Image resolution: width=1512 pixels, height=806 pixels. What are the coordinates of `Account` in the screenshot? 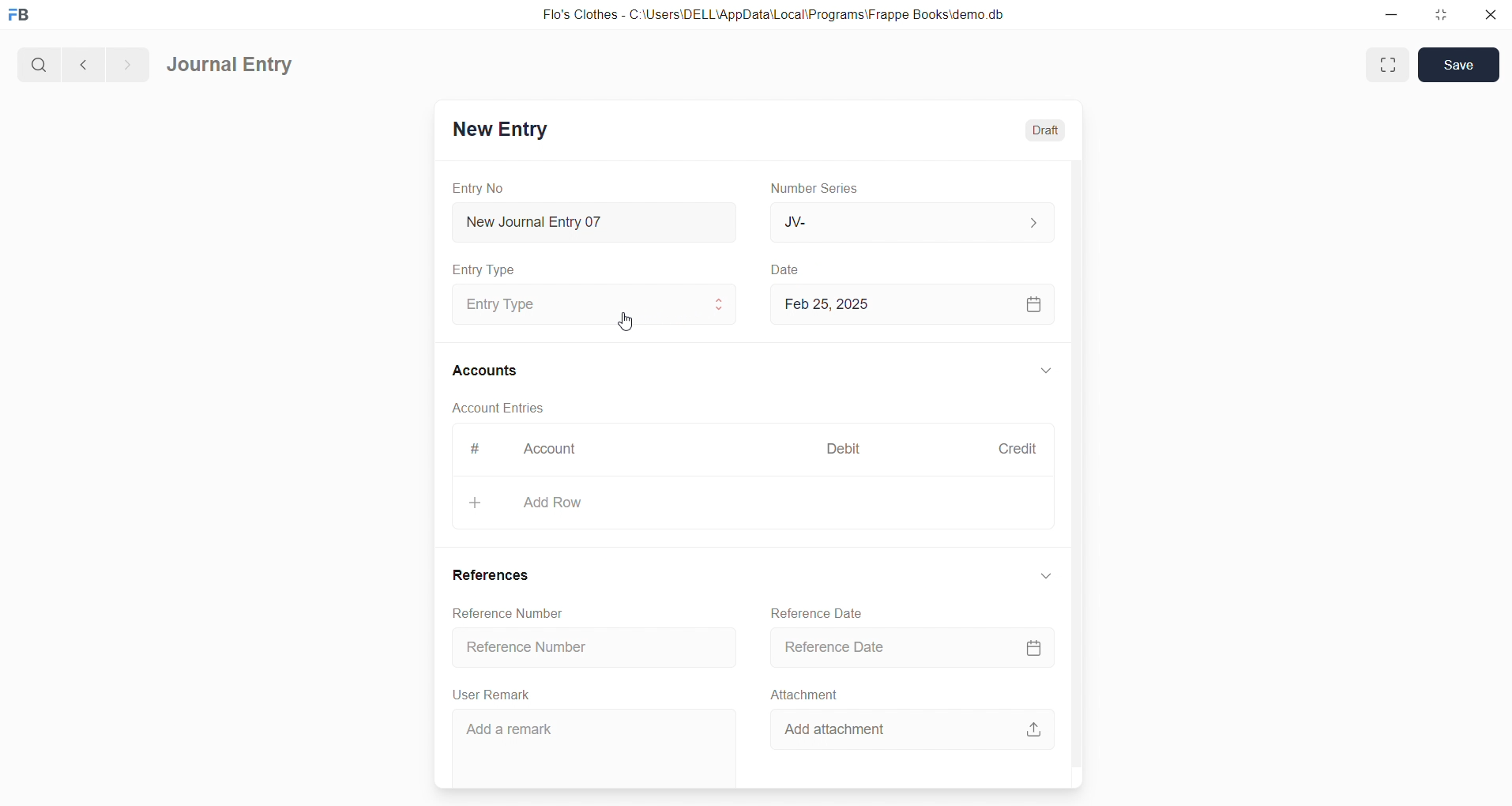 It's located at (553, 450).